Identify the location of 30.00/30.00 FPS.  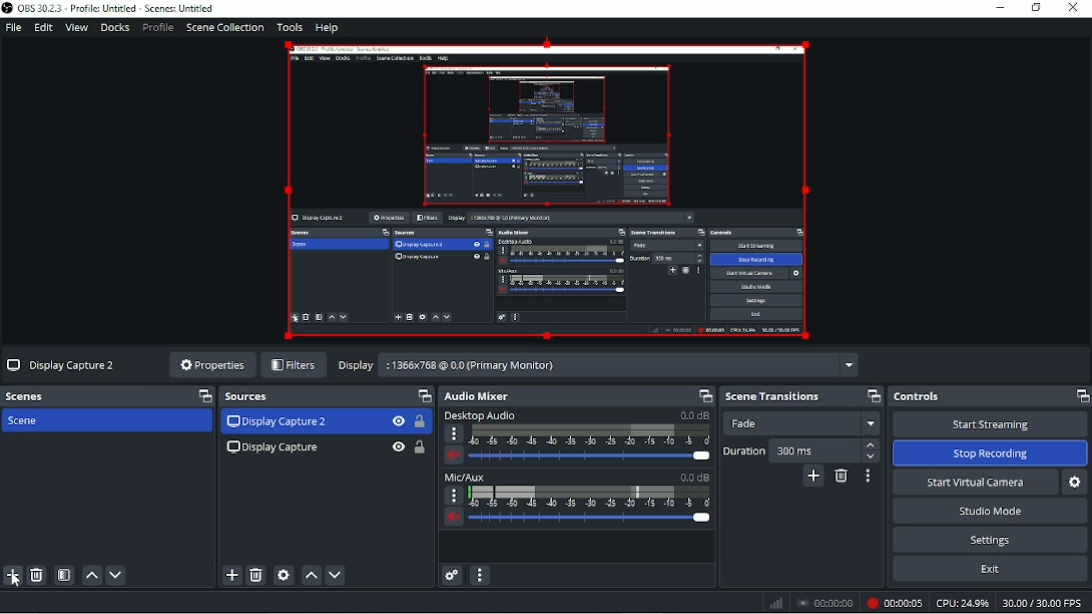
(1044, 604).